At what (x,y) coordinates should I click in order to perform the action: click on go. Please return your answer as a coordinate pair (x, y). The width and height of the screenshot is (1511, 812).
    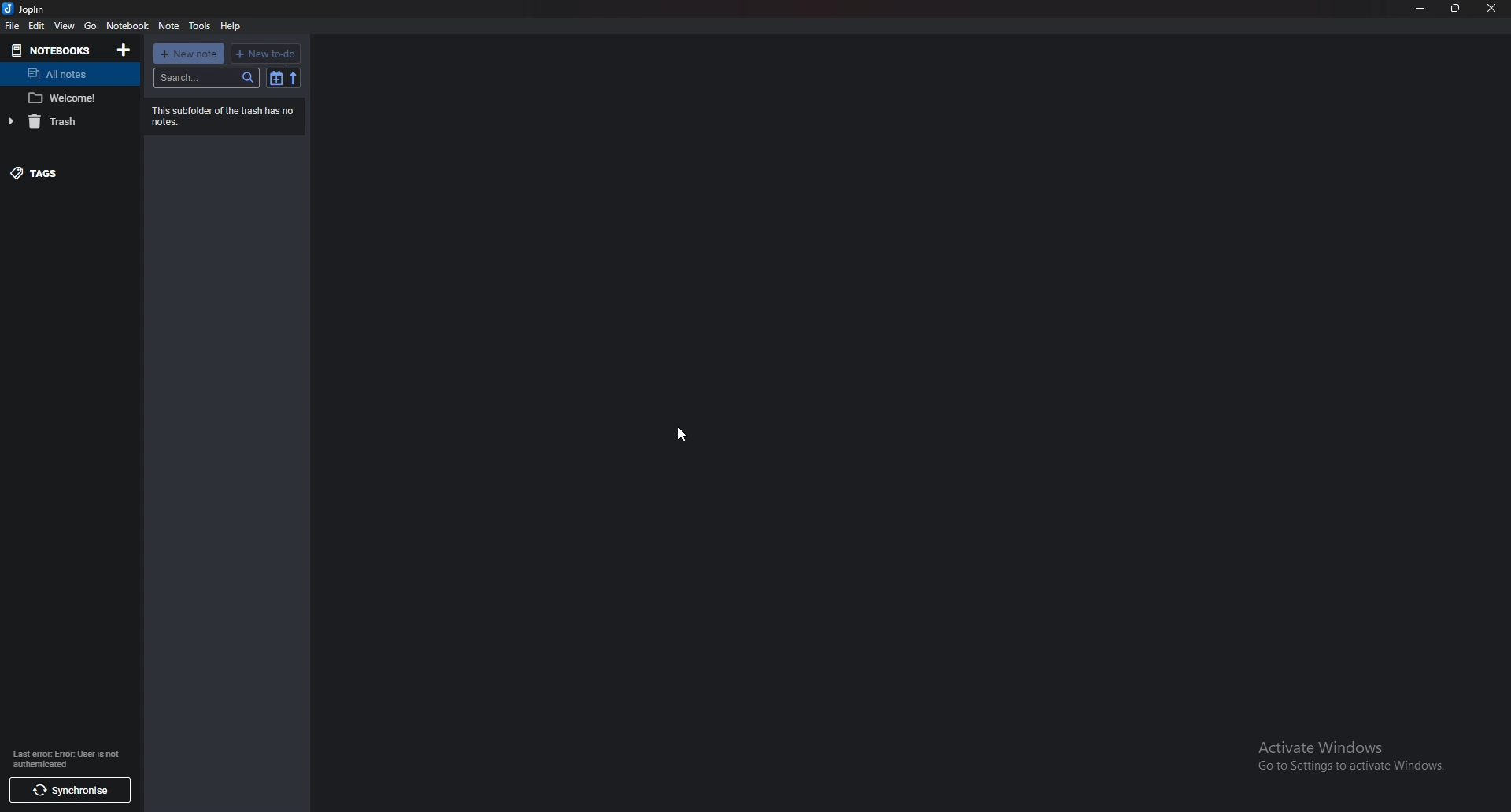
    Looking at the image, I should click on (91, 26).